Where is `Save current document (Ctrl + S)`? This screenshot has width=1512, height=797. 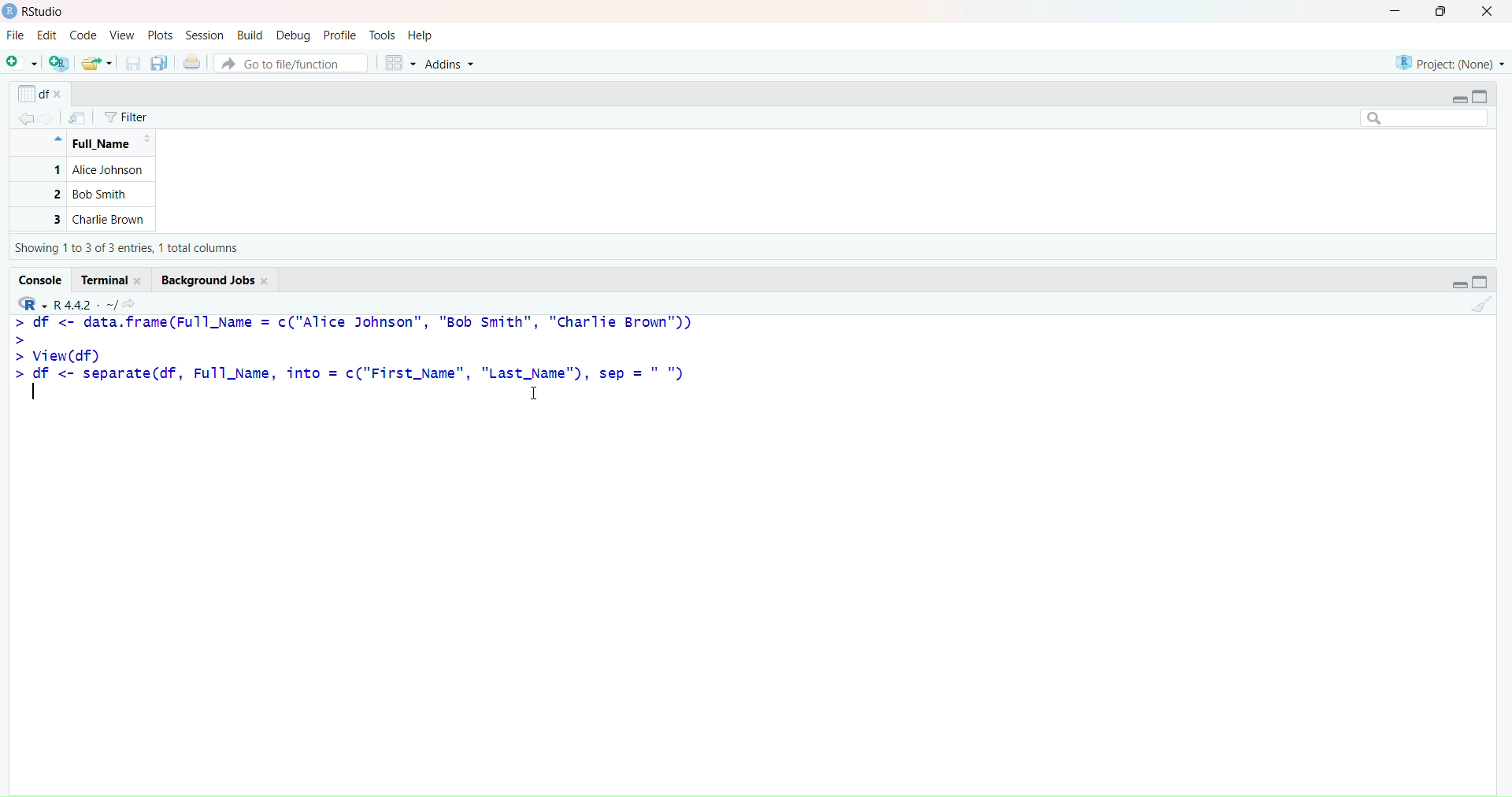
Save current document (Ctrl + S) is located at coordinates (132, 64).